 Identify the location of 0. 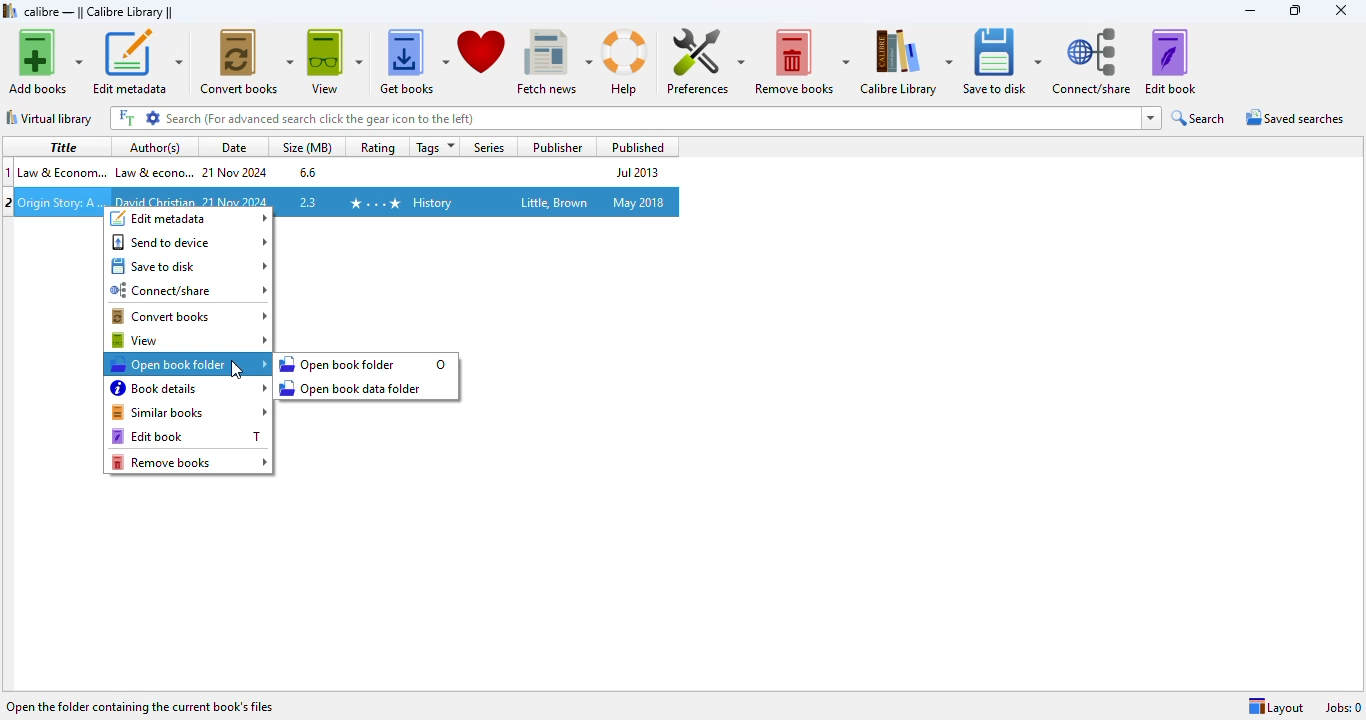
(441, 364).